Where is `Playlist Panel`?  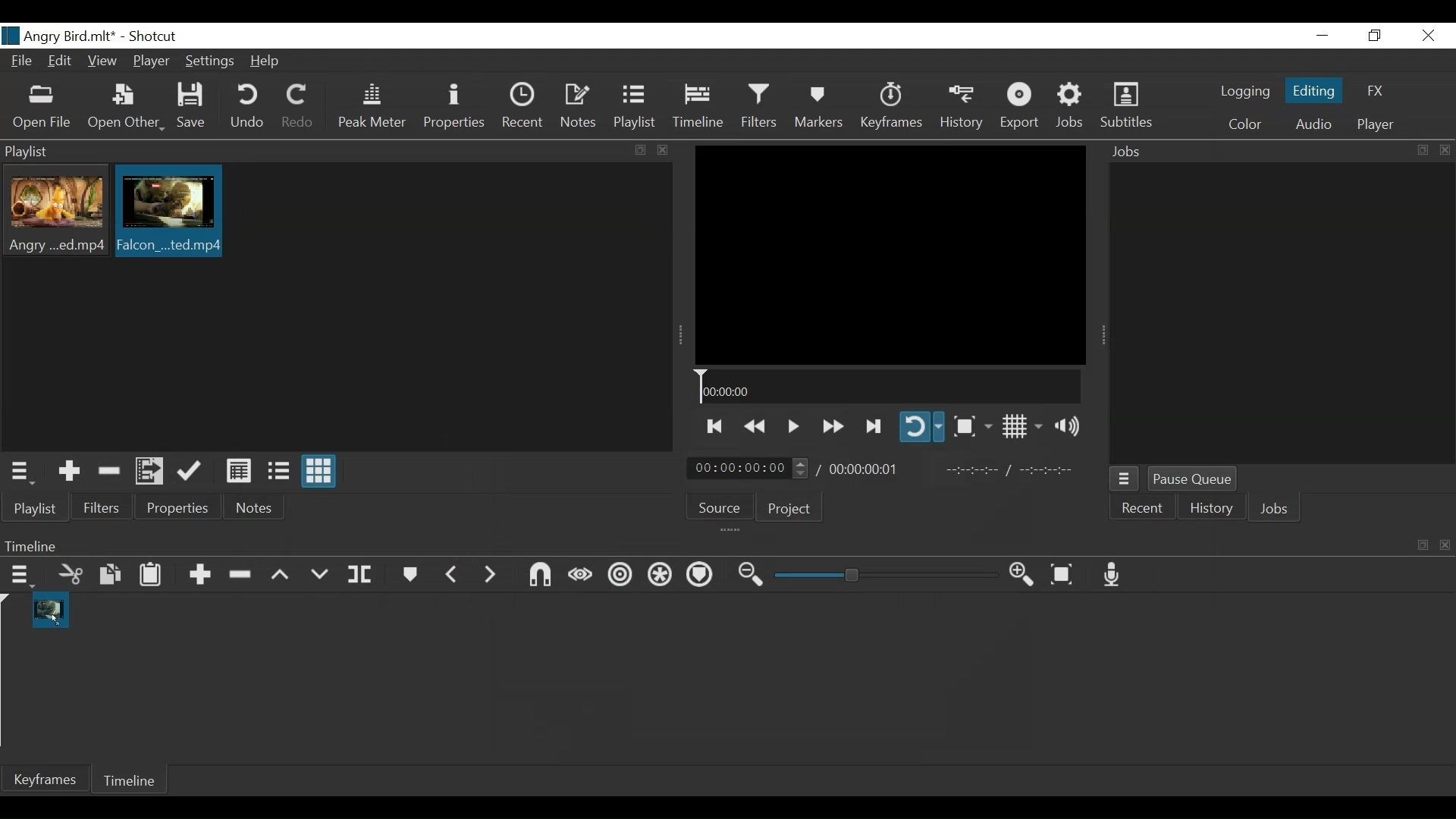
Playlist Panel is located at coordinates (308, 150).